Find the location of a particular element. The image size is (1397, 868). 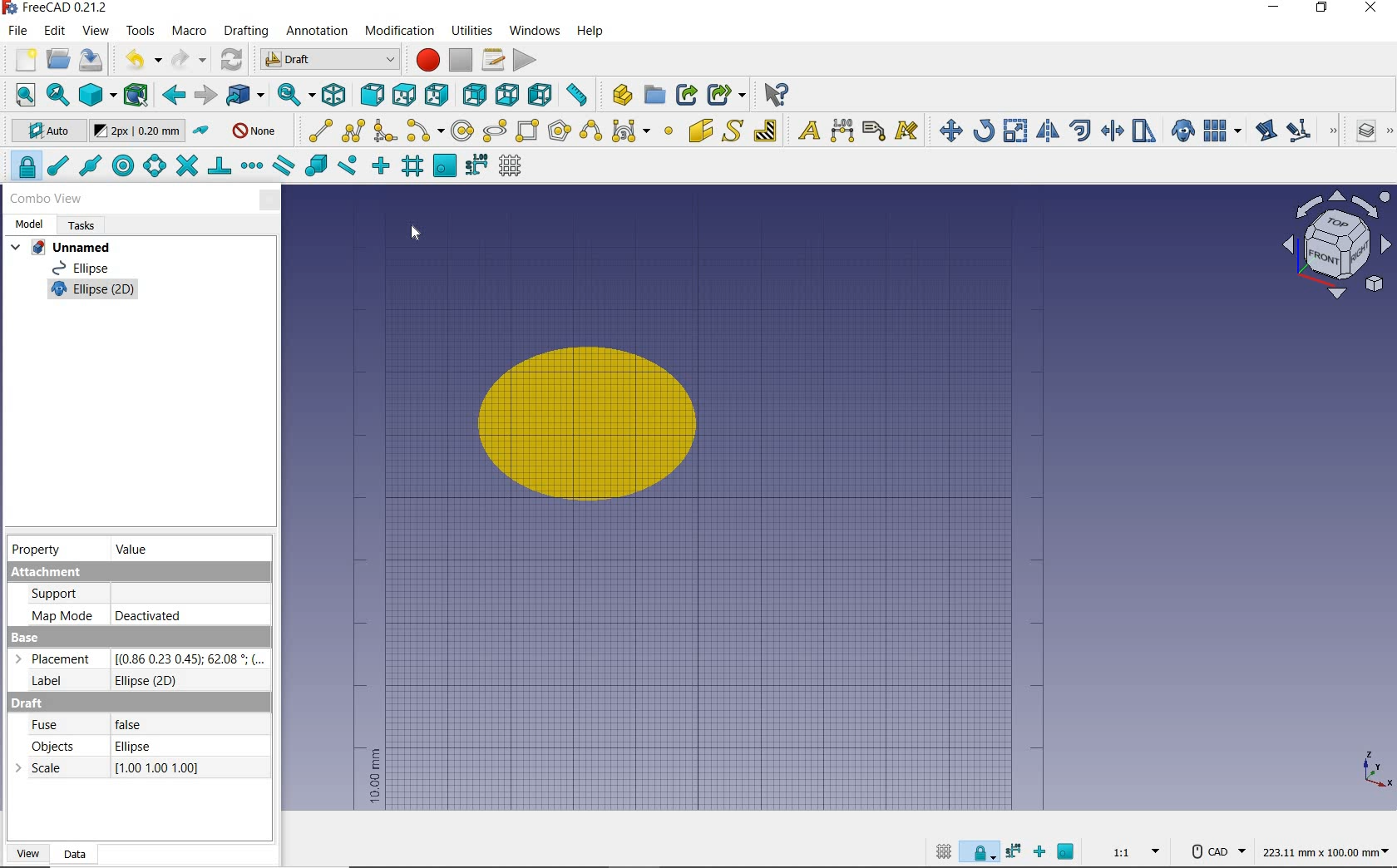

text is located at coordinates (806, 128).